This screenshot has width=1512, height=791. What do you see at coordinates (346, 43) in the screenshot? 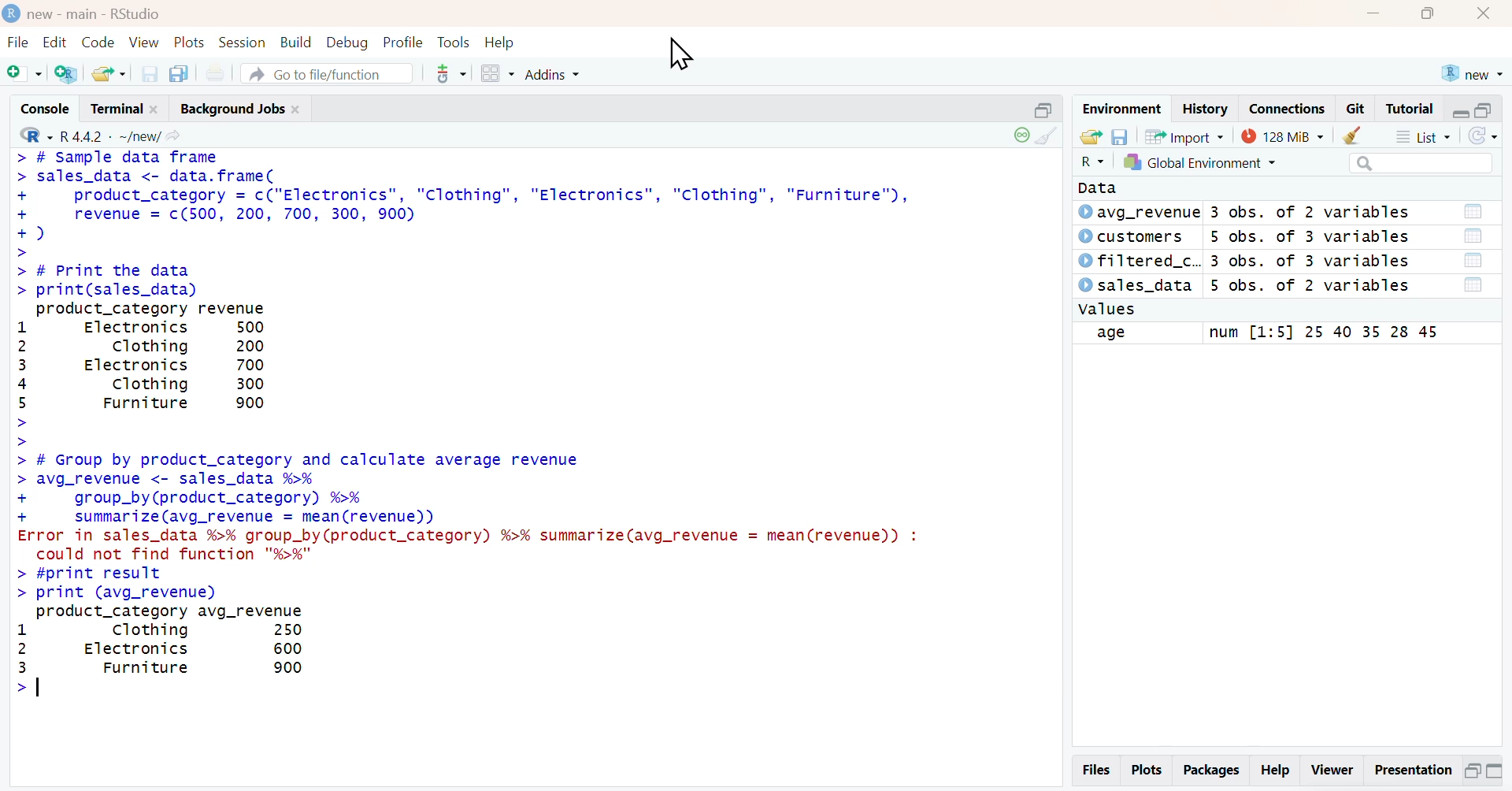
I see `Debug` at bounding box center [346, 43].